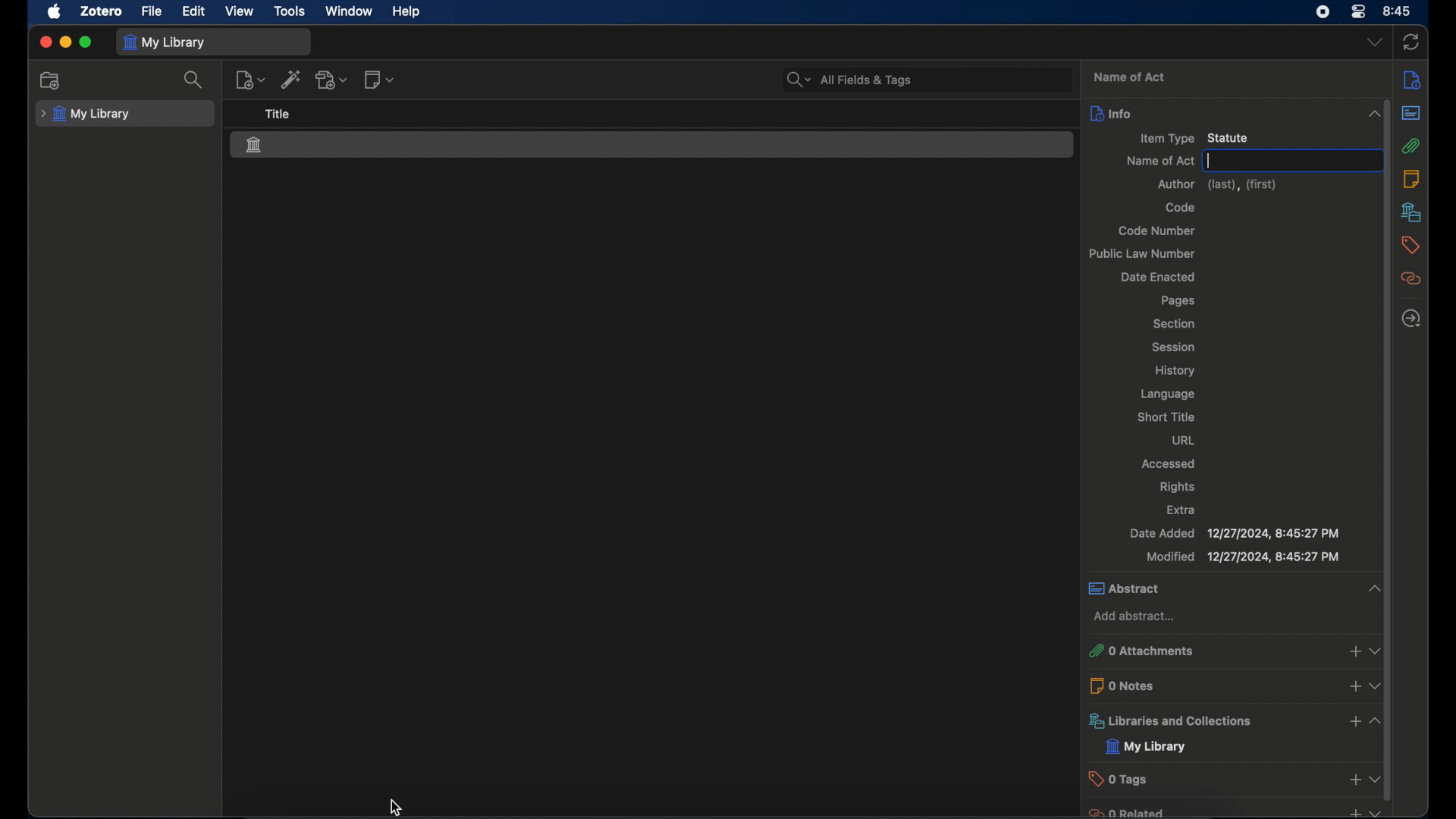  What do you see at coordinates (1141, 253) in the screenshot?
I see `public law number` at bounding box center [1141, 253].